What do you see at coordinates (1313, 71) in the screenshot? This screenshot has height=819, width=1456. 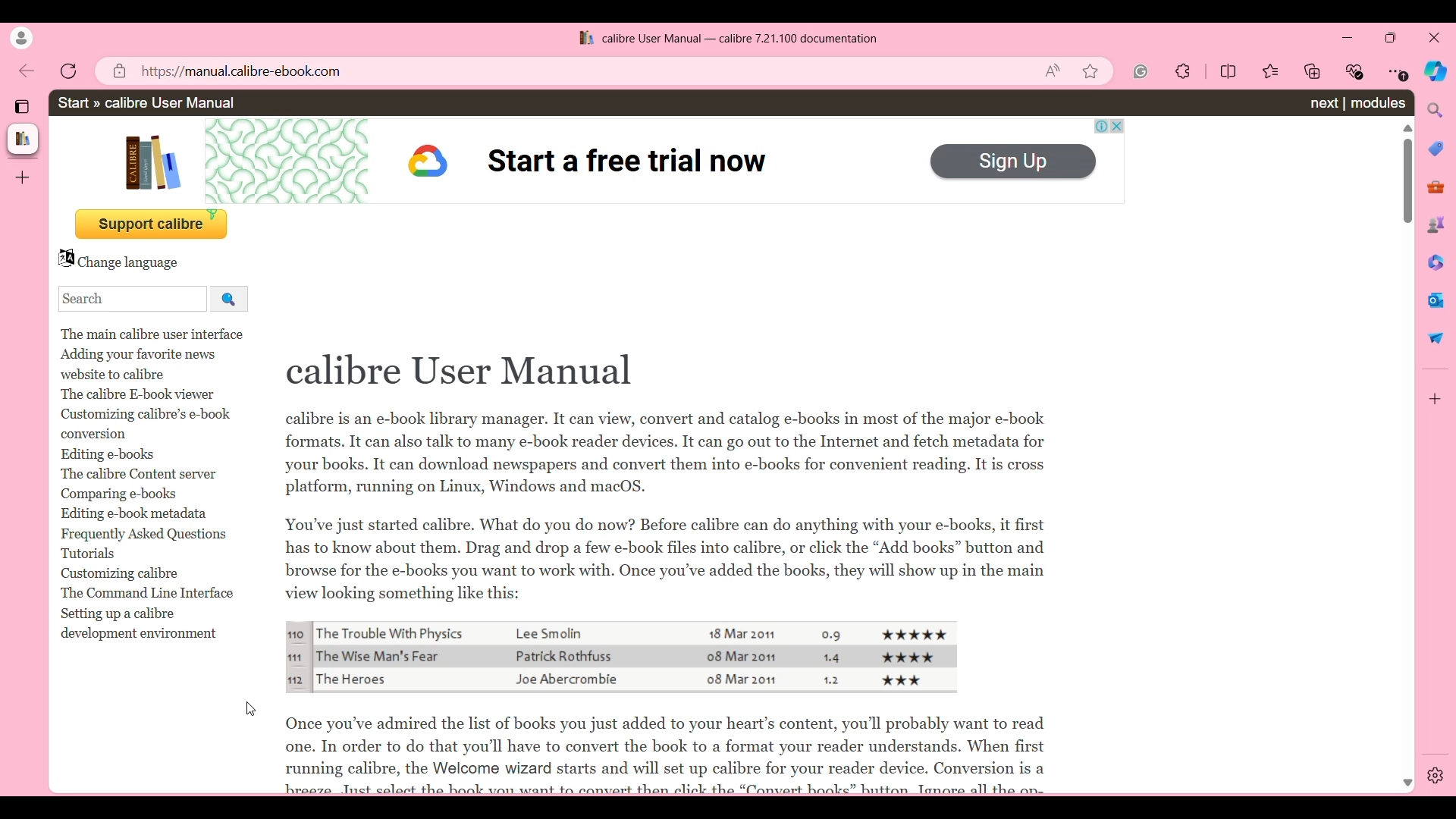 I see `Collections` at bounding box center [1313, 71].